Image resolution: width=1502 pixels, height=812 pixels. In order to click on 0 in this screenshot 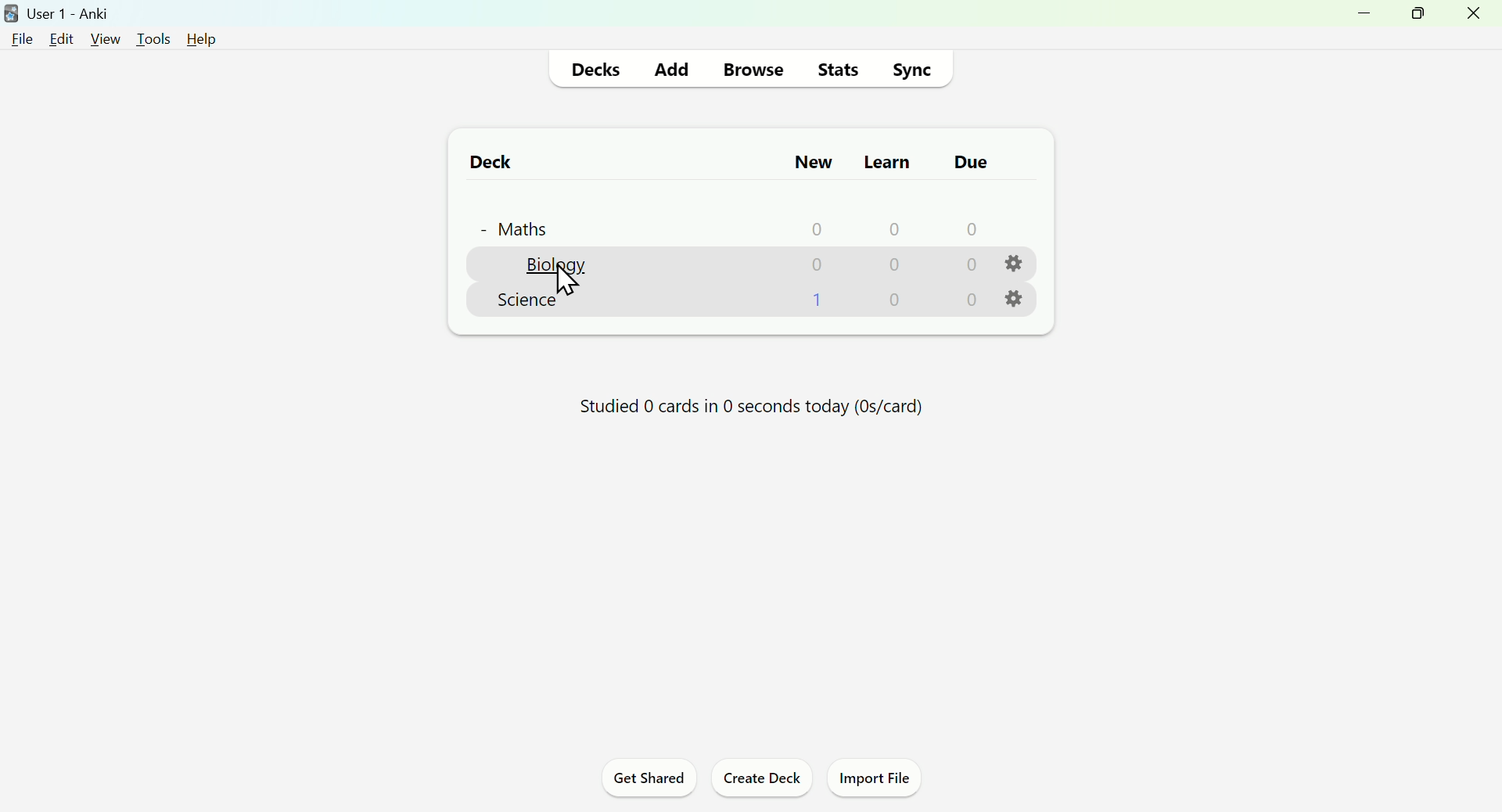, I will do `click(972, 300)`.